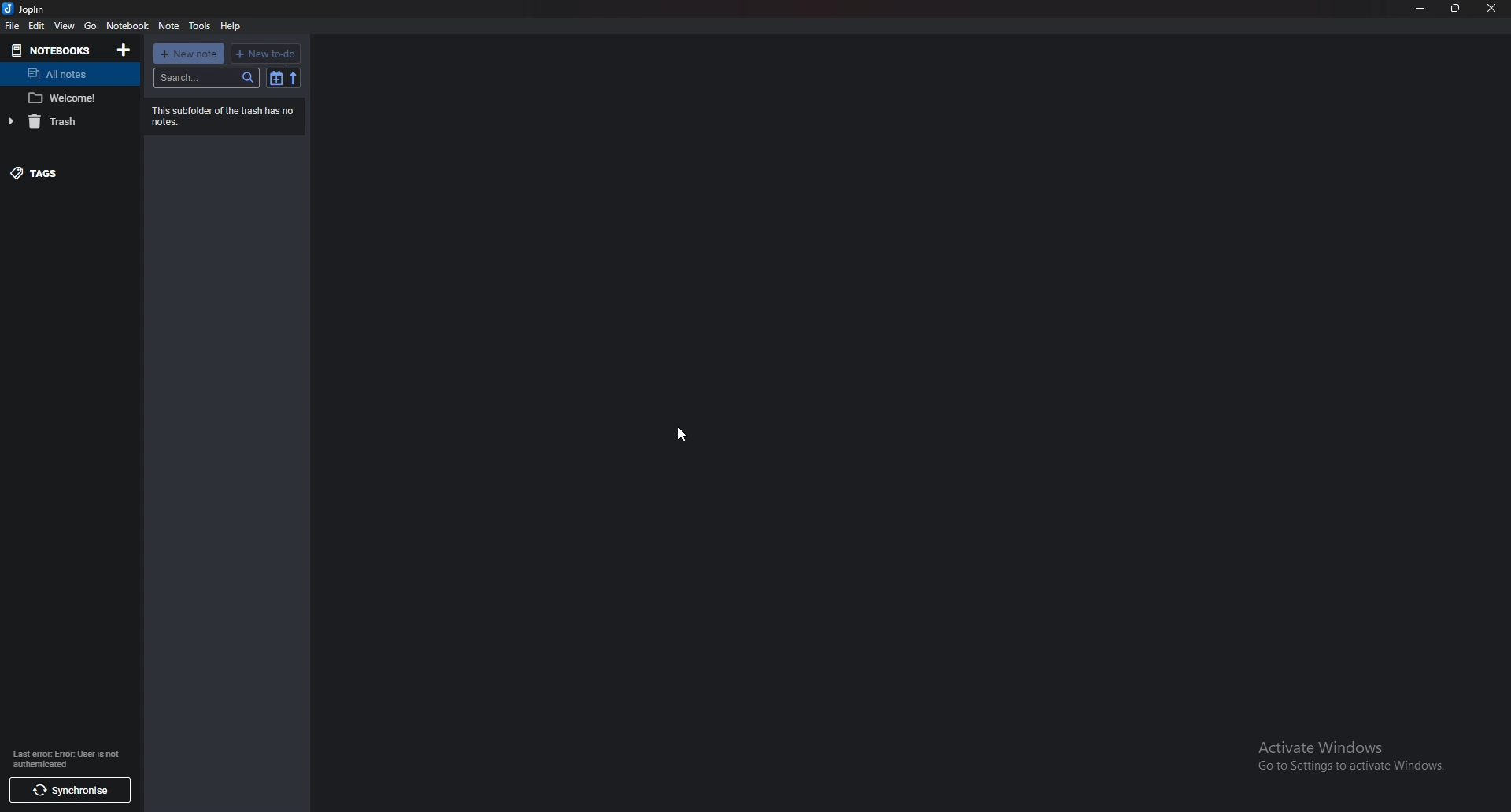 The width and height of the screenshot is (1511, 812). Describe the element at coordinates (31, 9) in the screenshot. I see `joplin` at that location.